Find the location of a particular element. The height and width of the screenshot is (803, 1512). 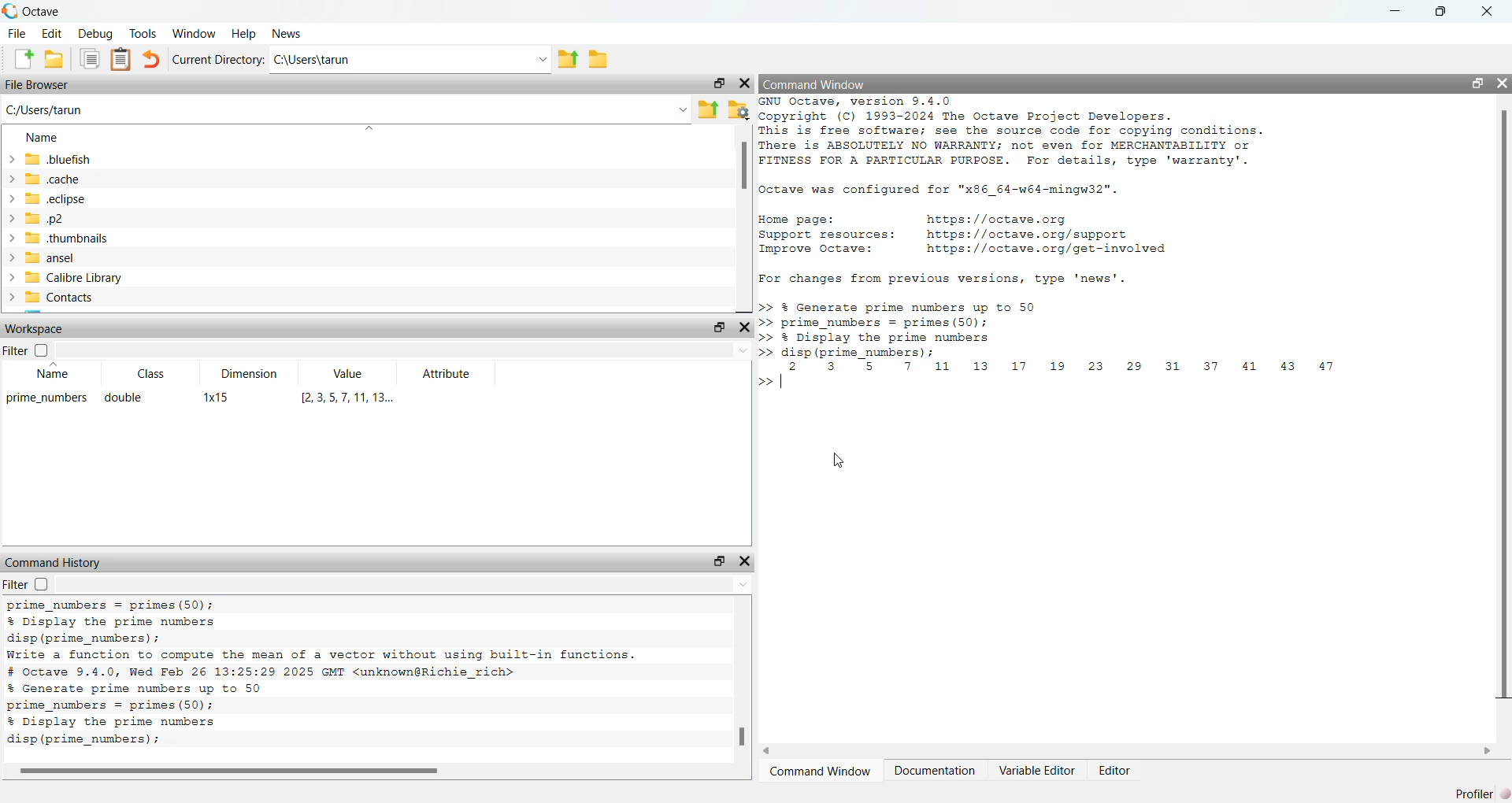

close is located at coordinates (1502, 83).